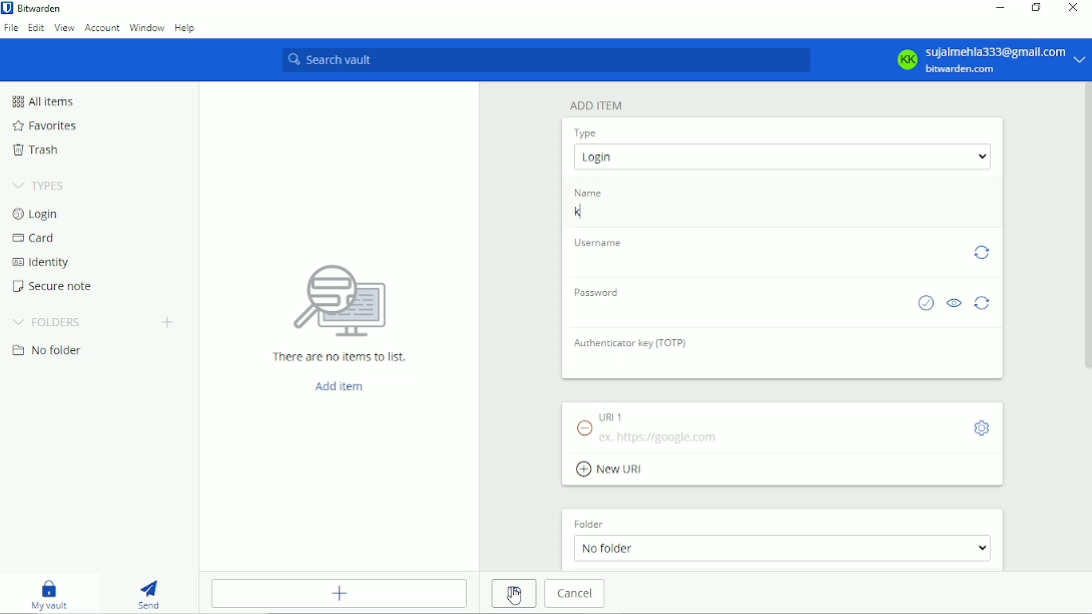 Image resolution: width=1092 pixels, height=614 pixels. I want to click on add New URI, so click(612, 470).